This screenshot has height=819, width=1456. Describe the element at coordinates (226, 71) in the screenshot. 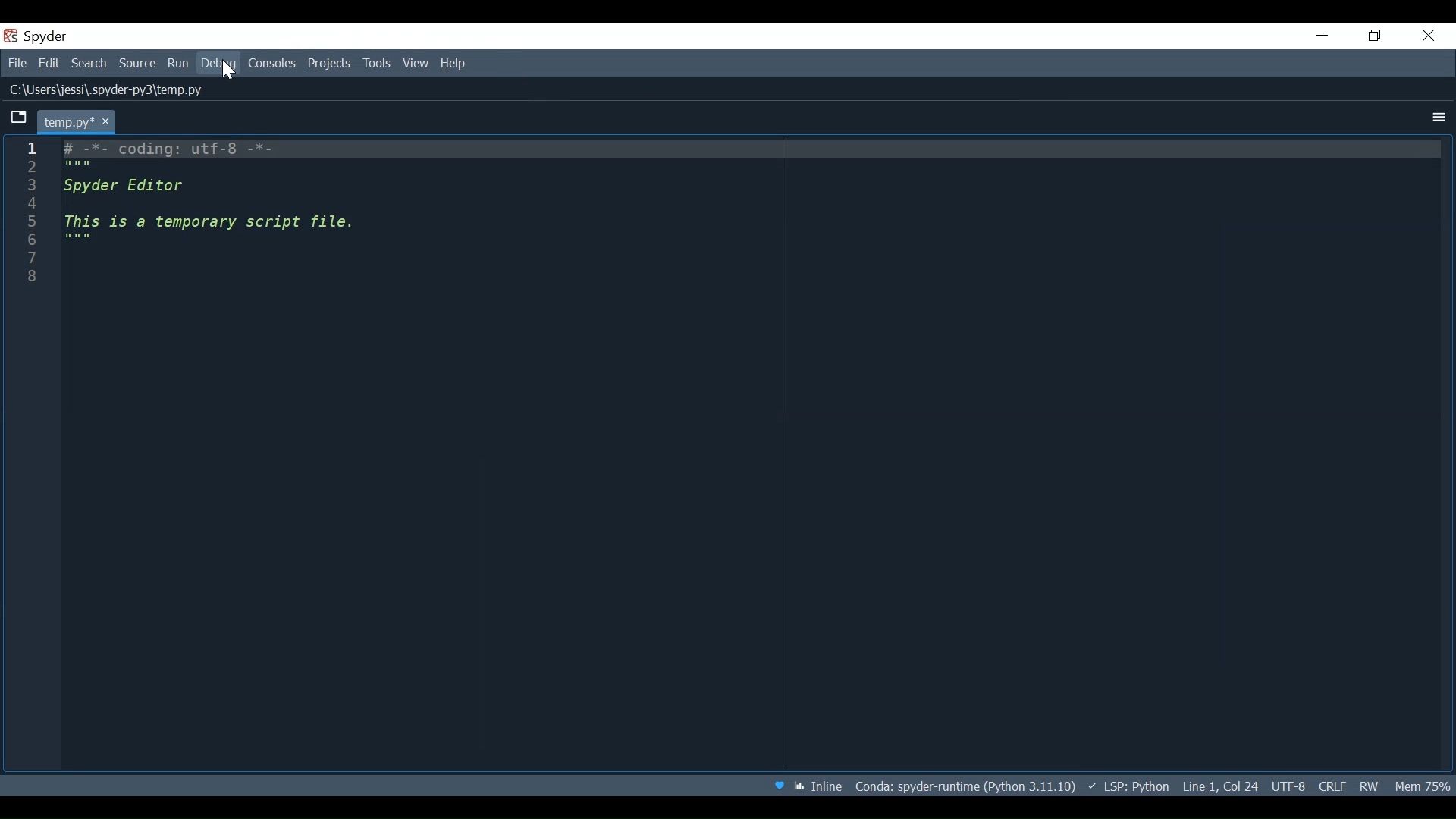

I see `Cursor` at that location.